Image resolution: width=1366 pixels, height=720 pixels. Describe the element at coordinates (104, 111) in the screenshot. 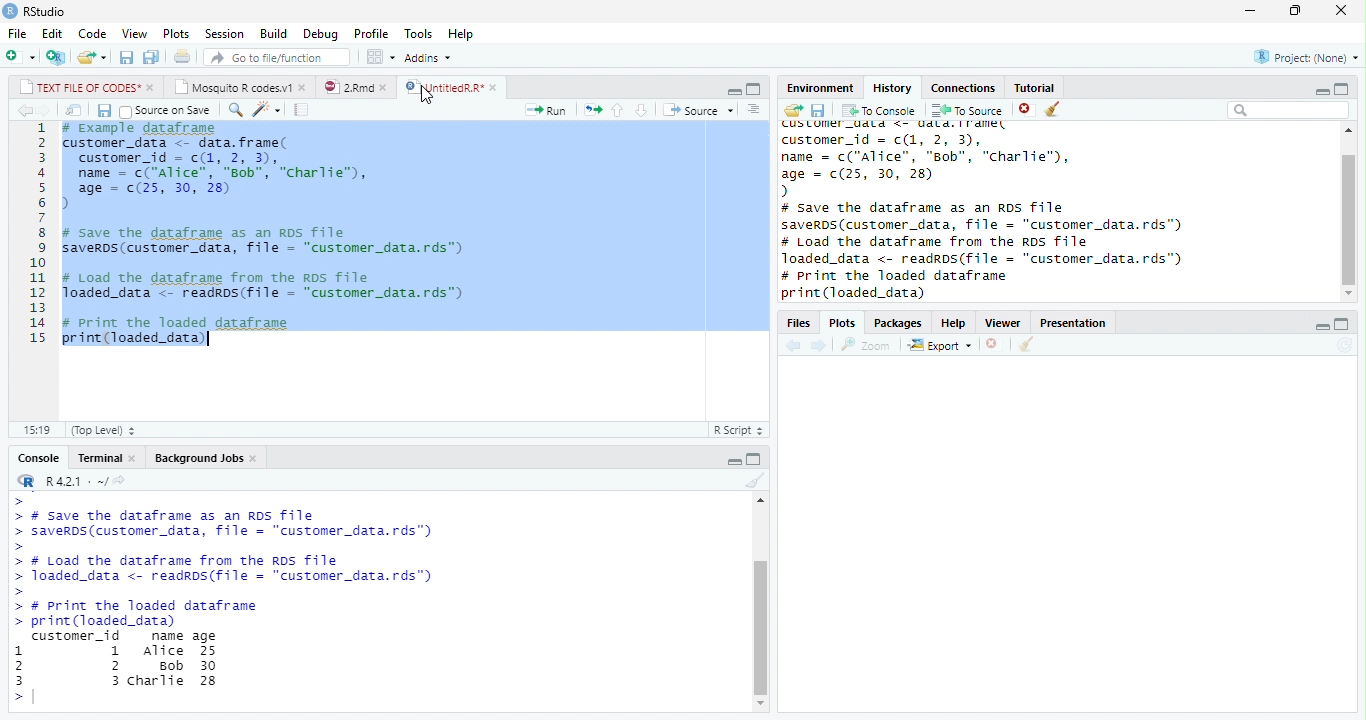

I see `save` at that location.